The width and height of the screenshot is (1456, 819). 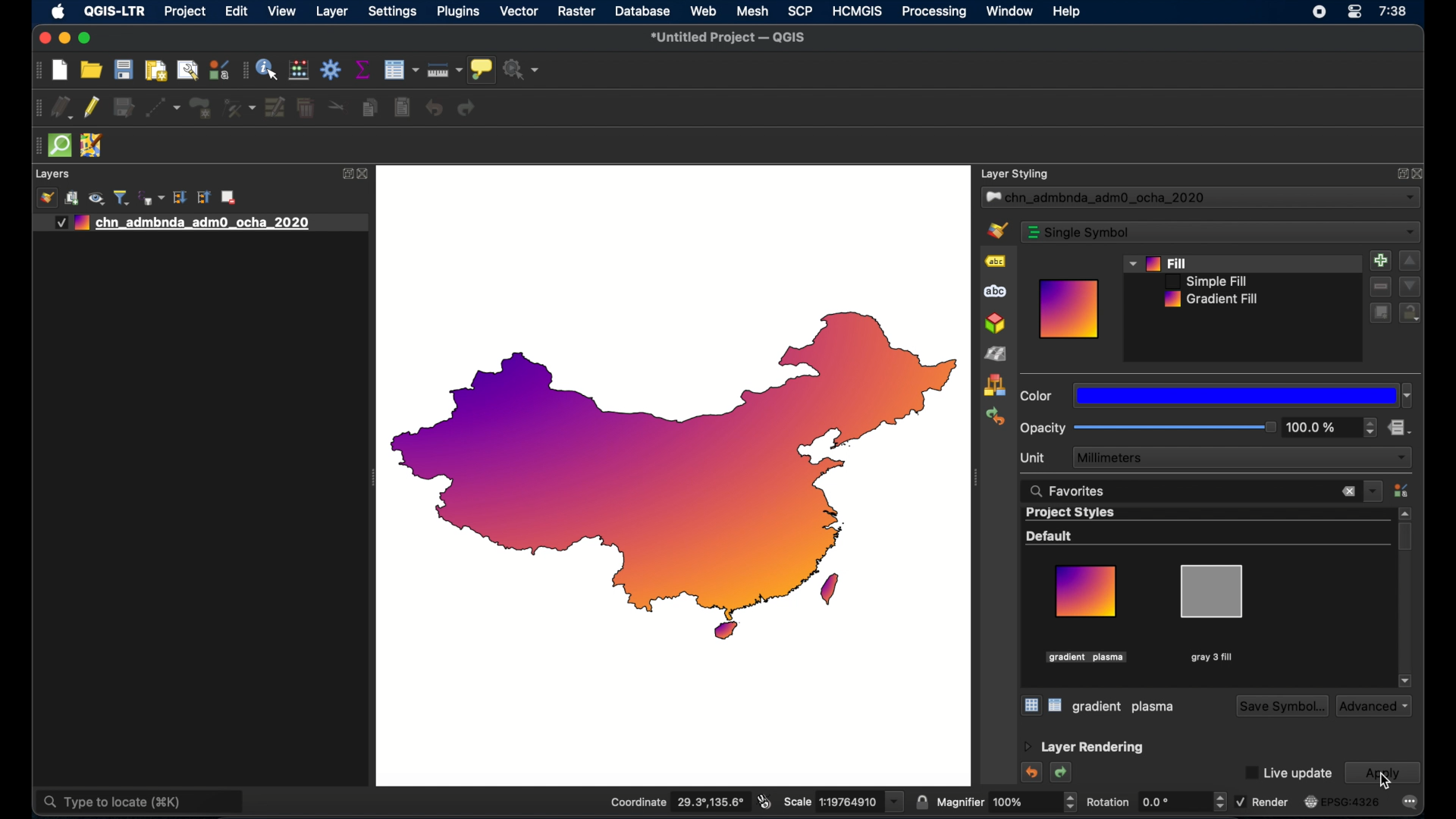 I want to click on decrement, so click(x=1410, y=287).